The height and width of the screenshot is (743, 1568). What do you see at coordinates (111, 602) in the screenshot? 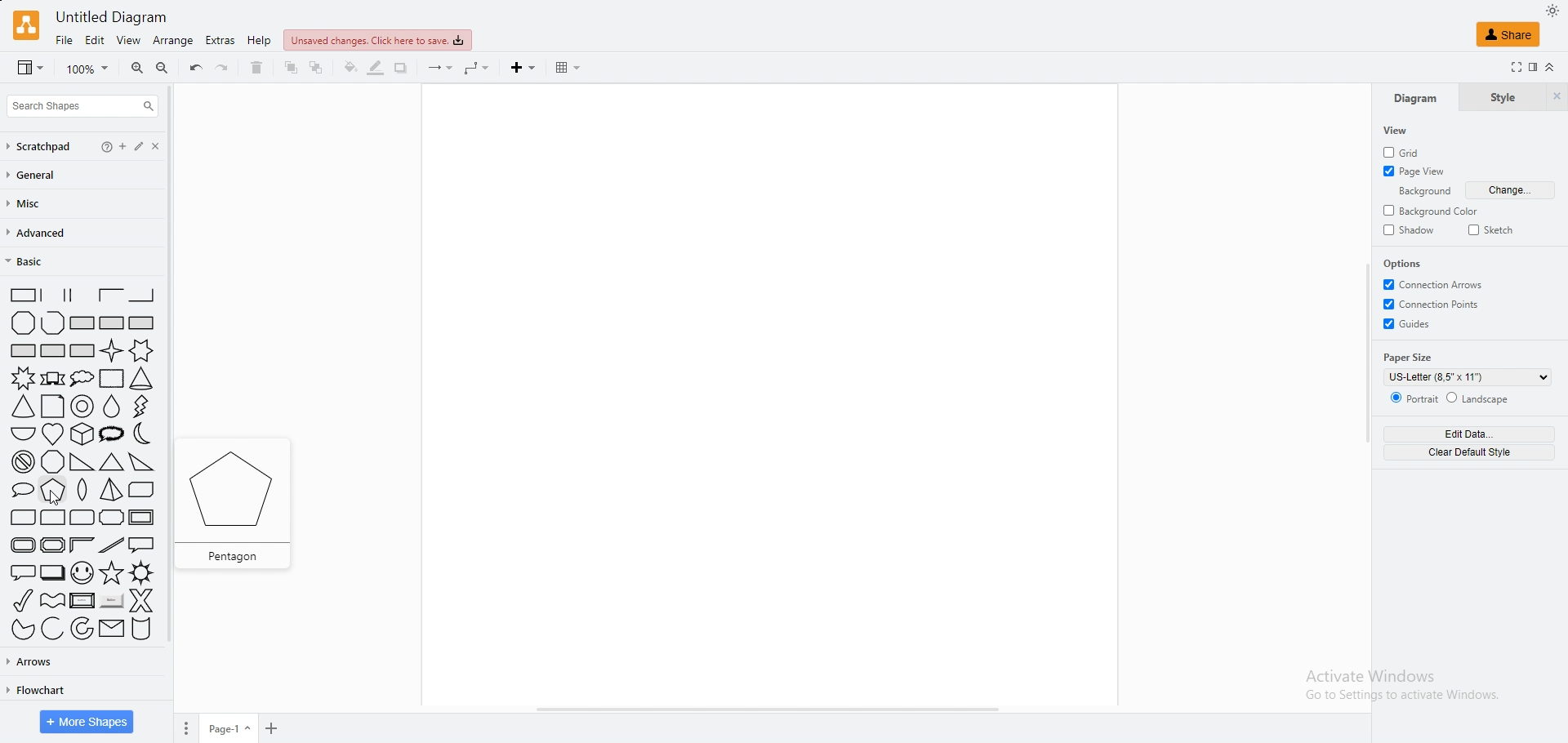
I see `button(shaded)` at bounding box center [111, 602].